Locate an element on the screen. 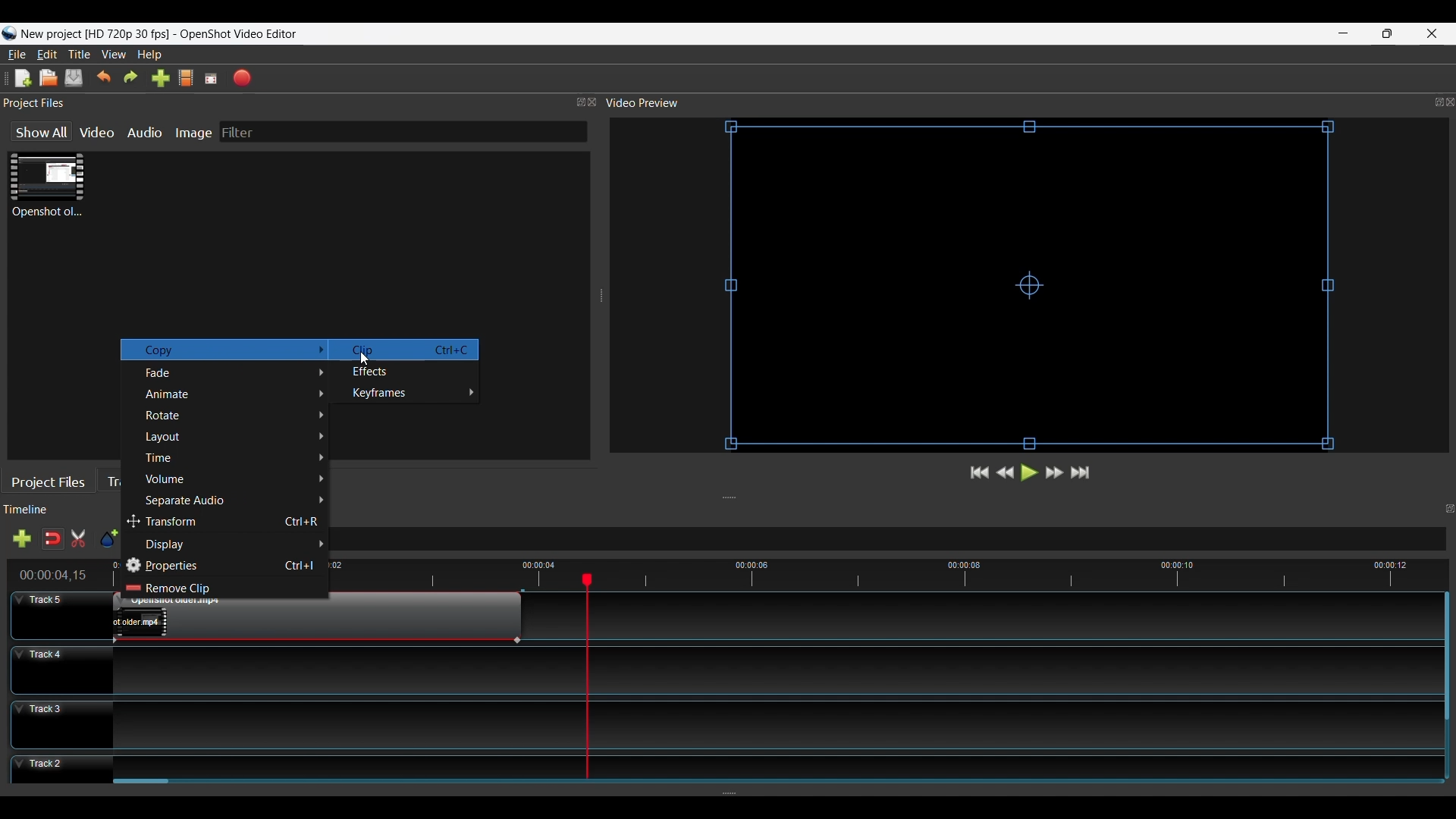 The height and width of the screenshot is (819, 1456). Help is located at coordinates (151, 55).